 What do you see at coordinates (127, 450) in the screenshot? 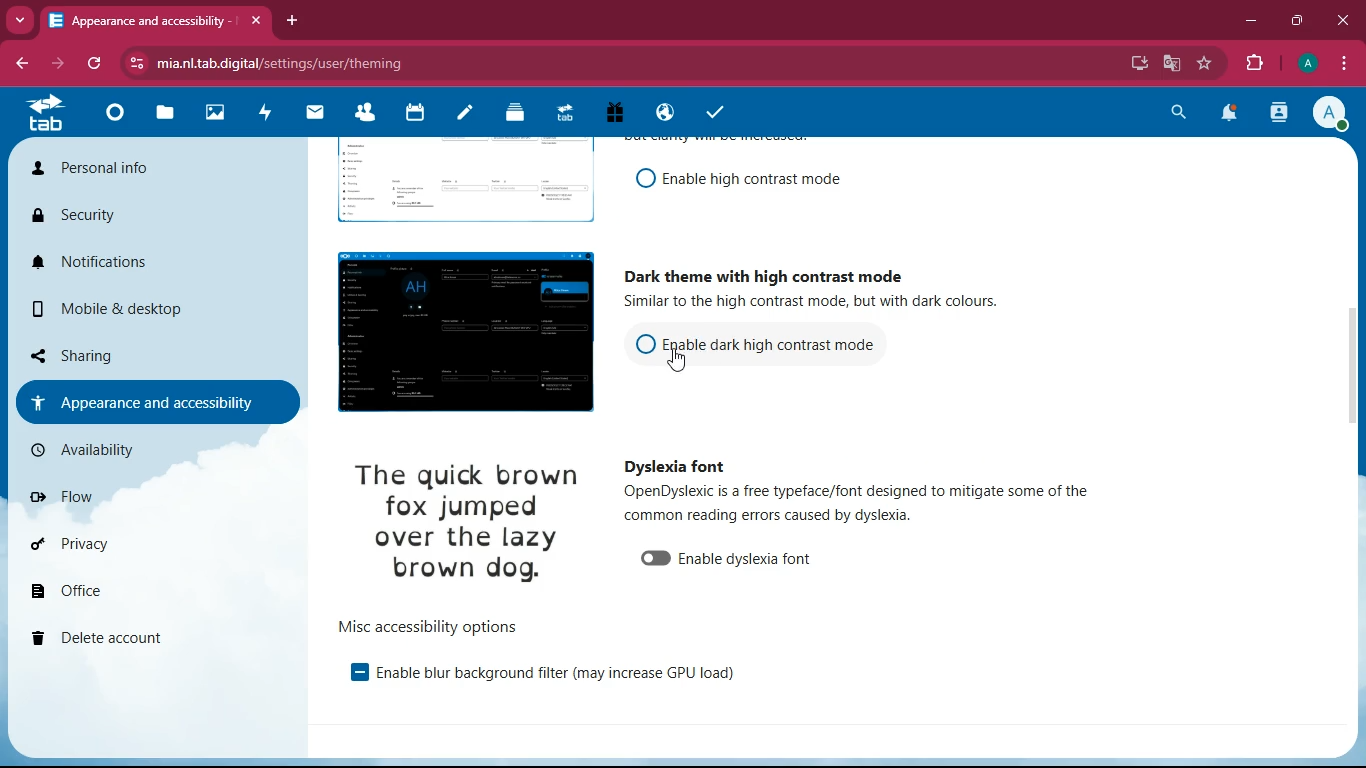
I see `availability` at bounding box center [127, 450].